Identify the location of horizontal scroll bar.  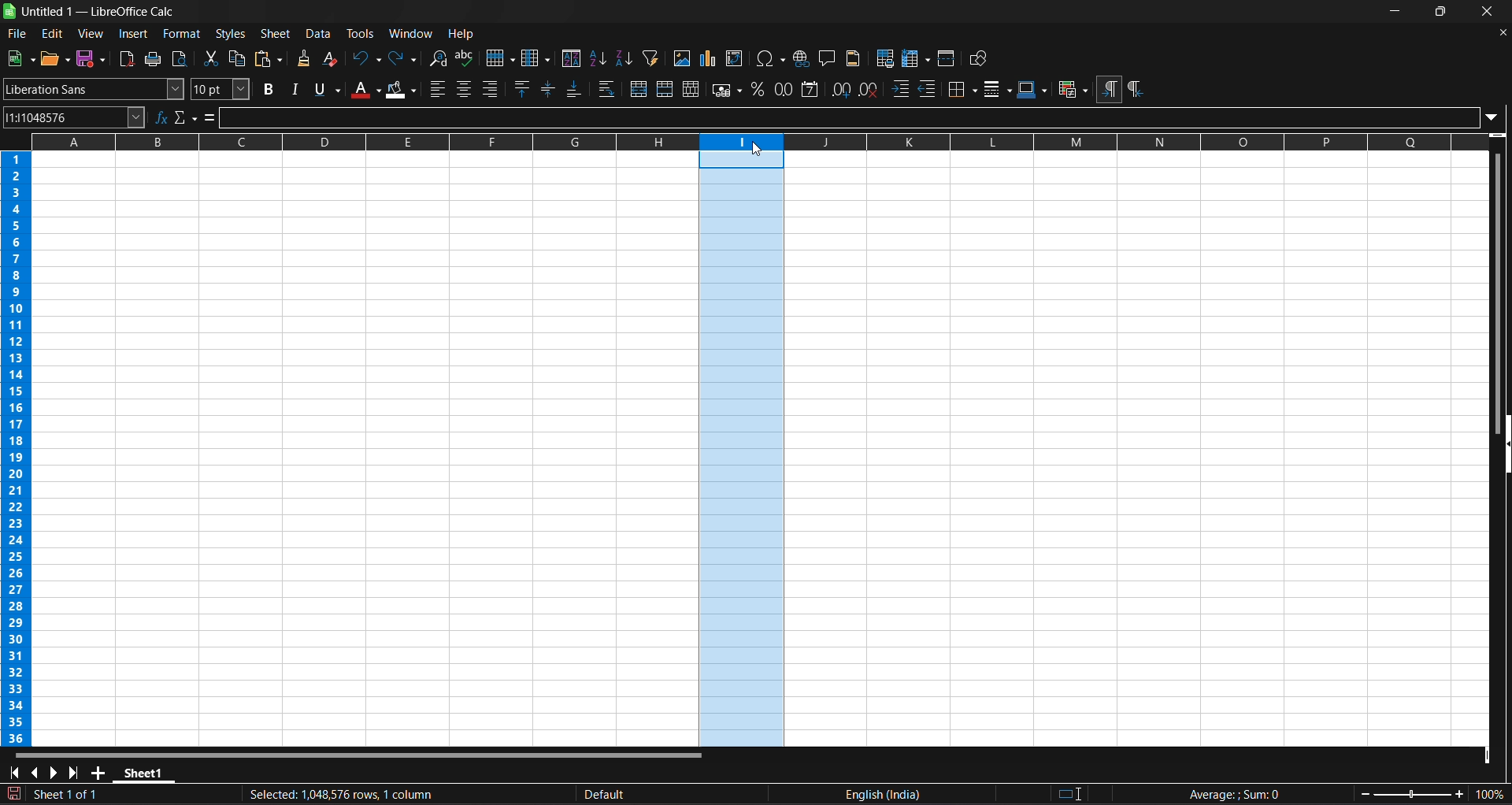
(354, 753).